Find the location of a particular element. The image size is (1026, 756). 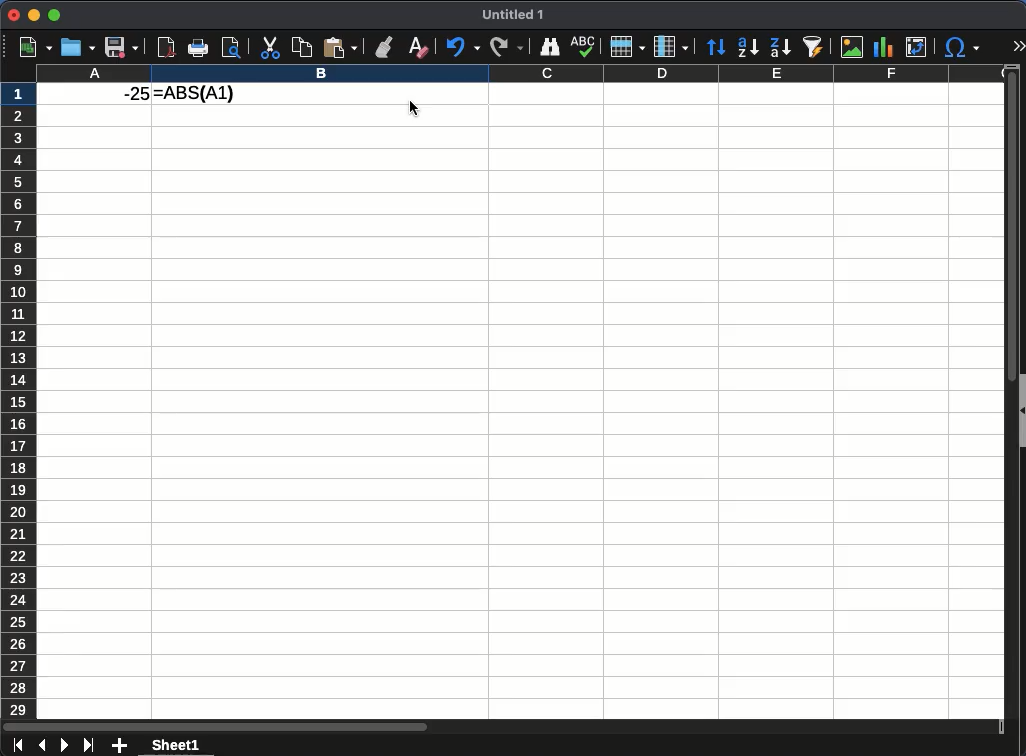

first sheet is located at coordinates (19, 746).